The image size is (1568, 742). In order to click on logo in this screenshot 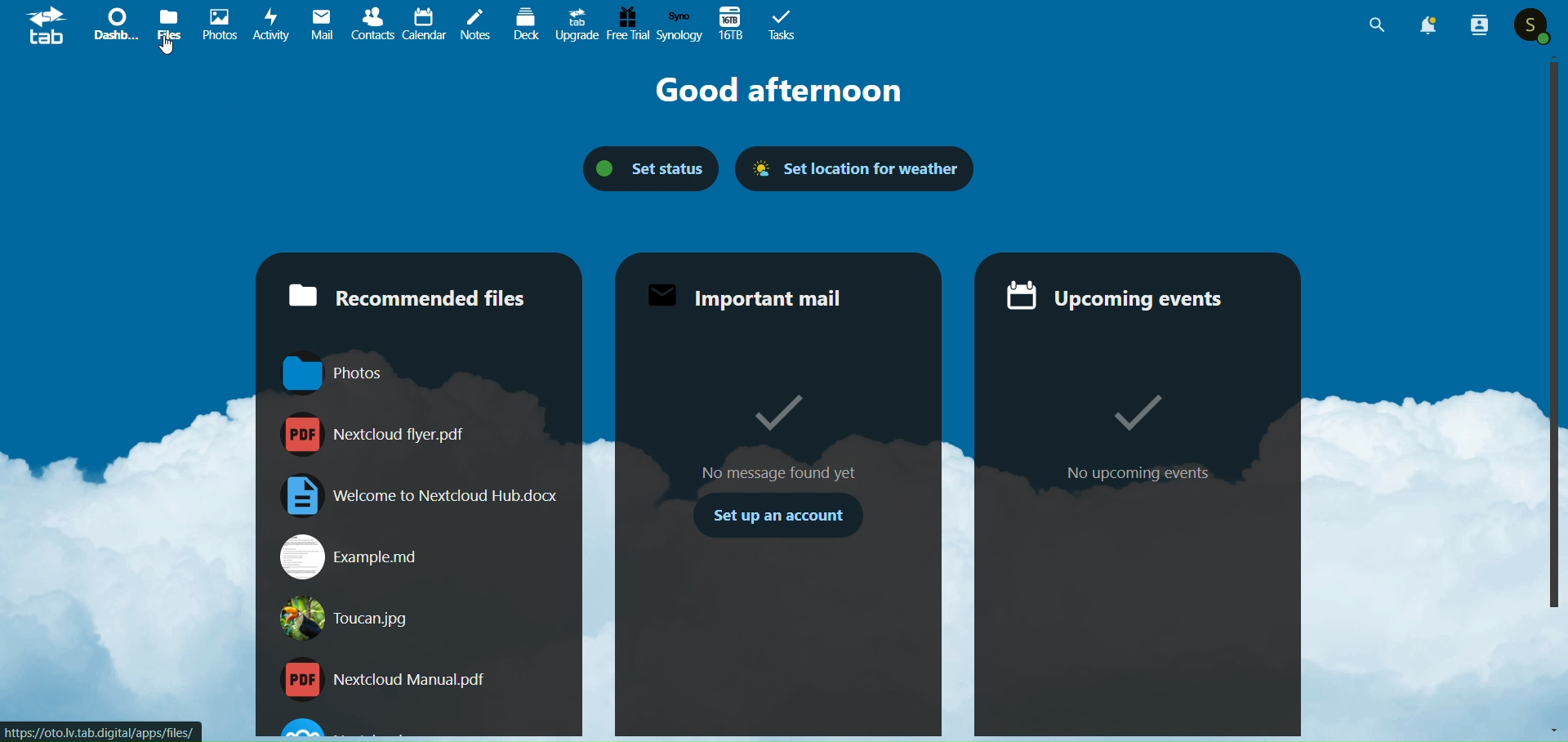, I will do `click(47, 28)`.